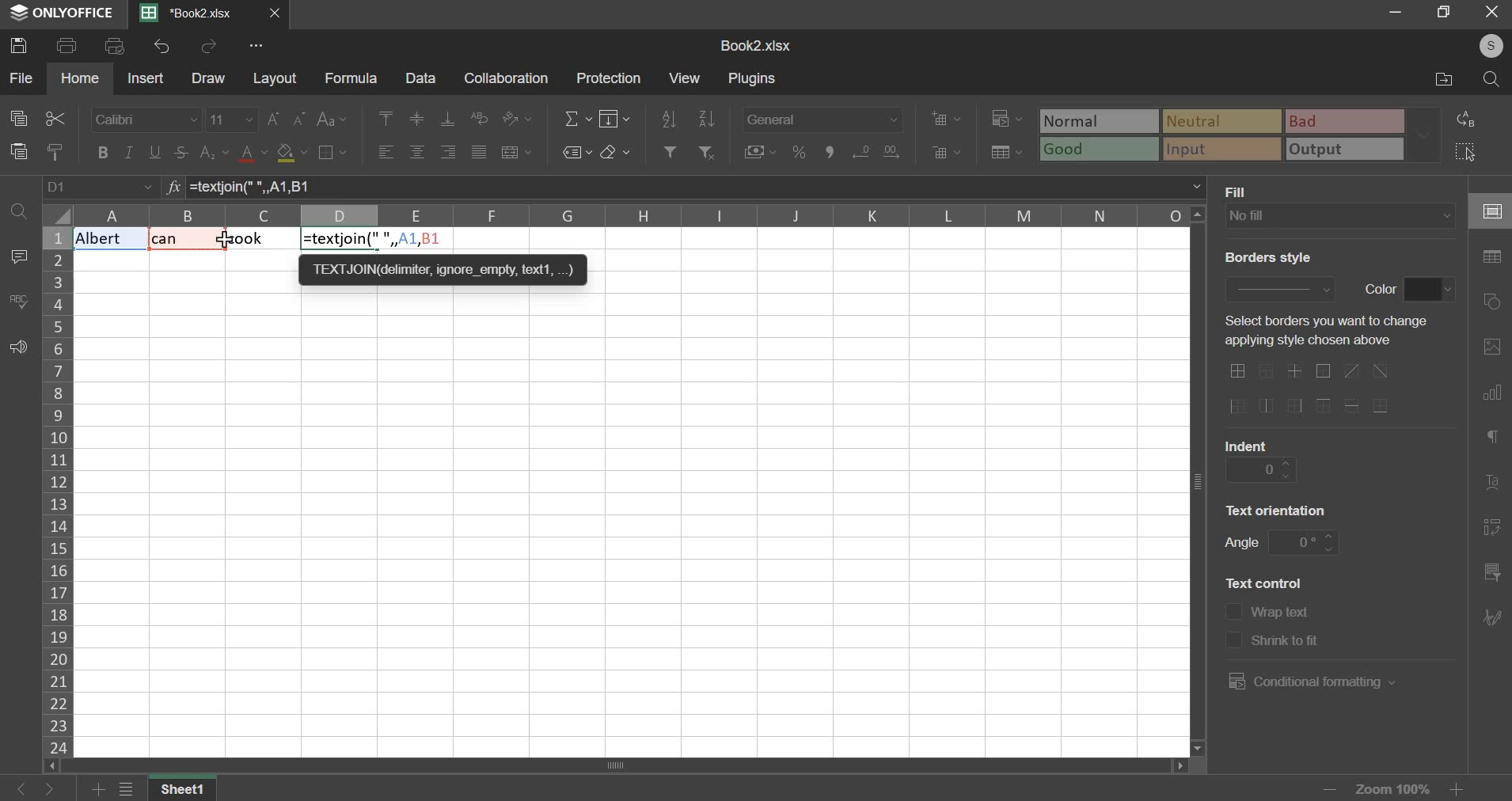 Image resolution: width=1512 pixels, height=801 pixels. I want to click on print preview, so click(116, 46).